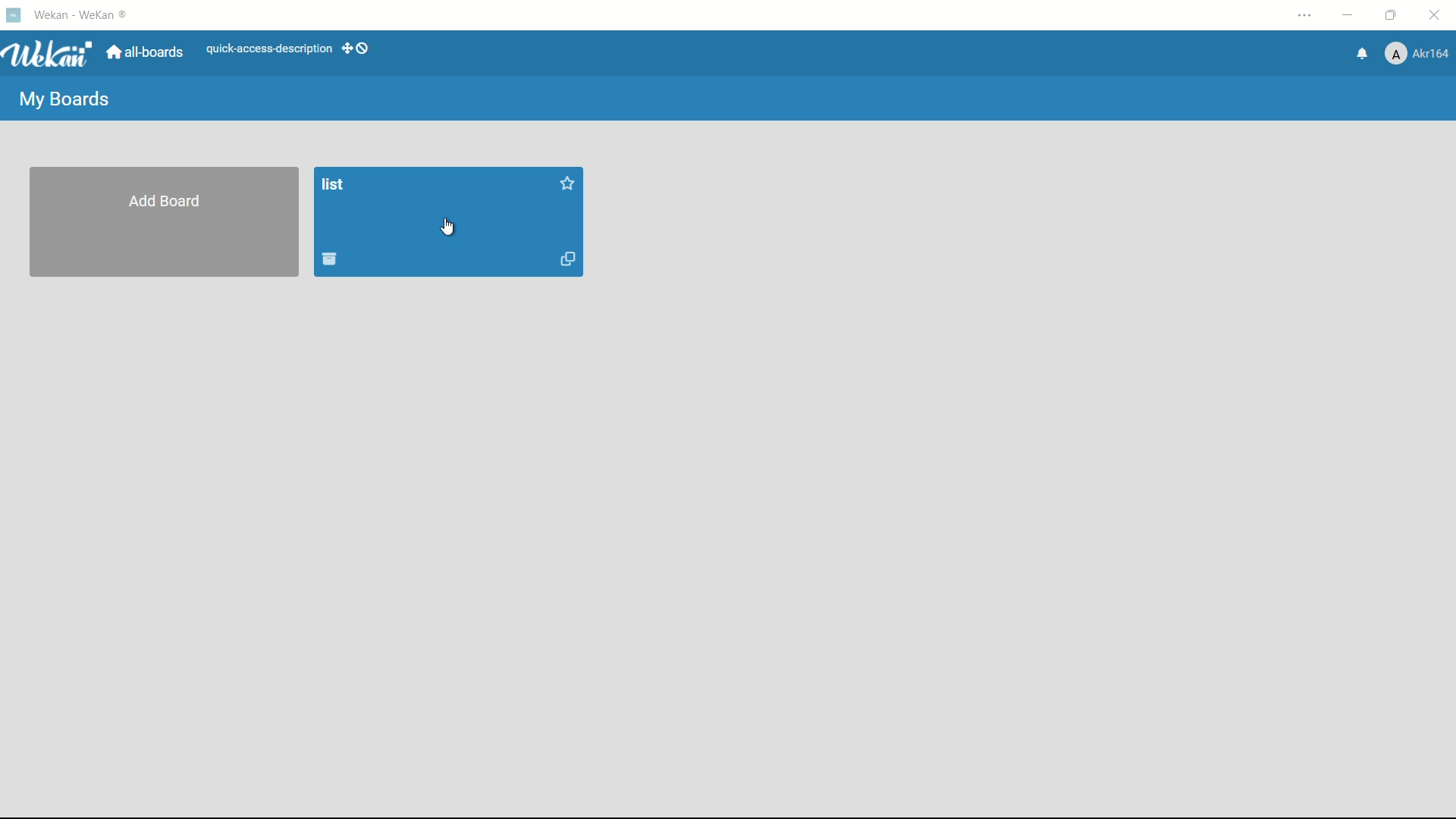 The width and height of the screenshot is (1456, 819). What do you see at coordinates (1363, 52) in the screenshot?
I see `notifications` at bounding box center [1363, 52].